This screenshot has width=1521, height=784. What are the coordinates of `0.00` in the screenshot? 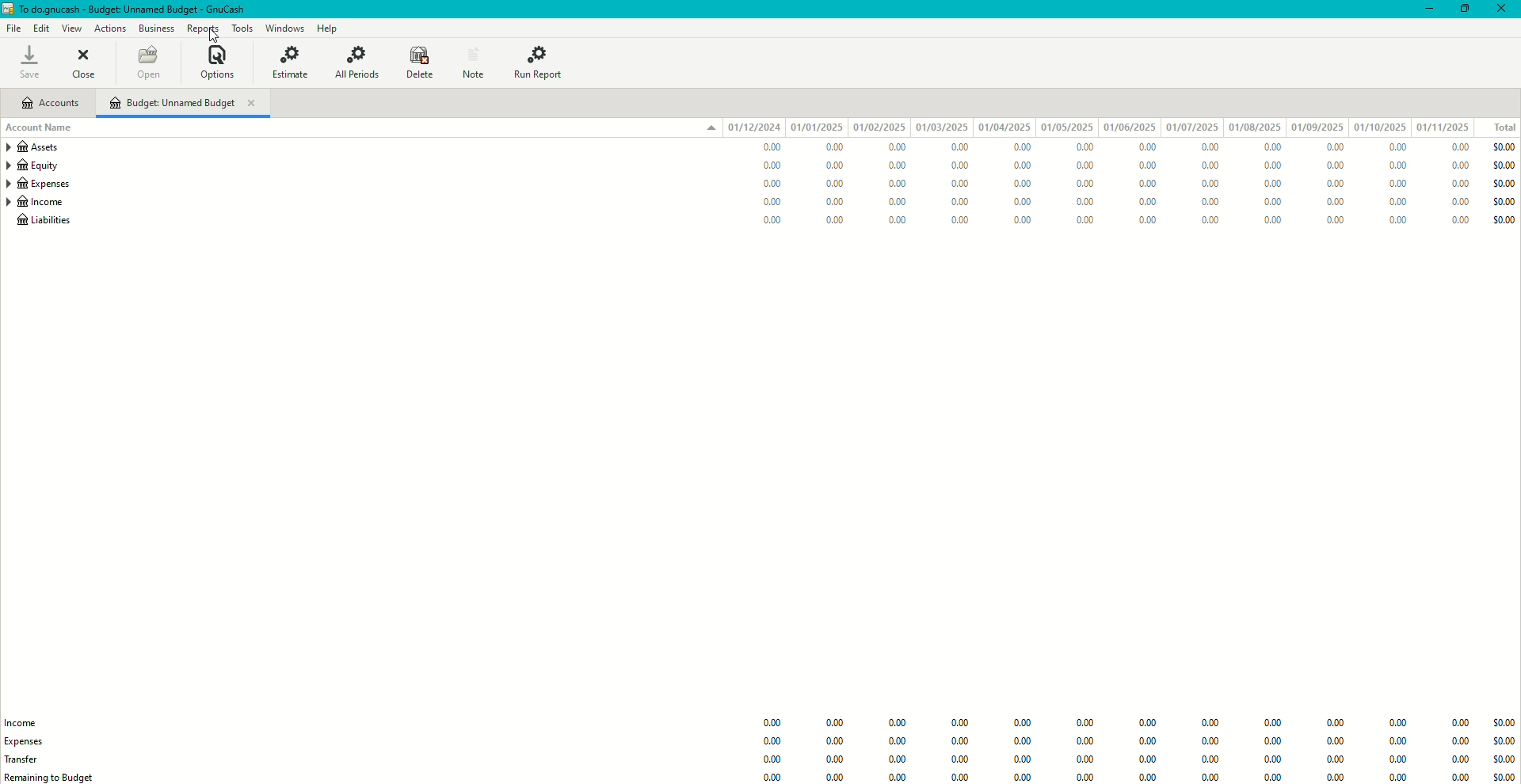 It's located at (901, 147).